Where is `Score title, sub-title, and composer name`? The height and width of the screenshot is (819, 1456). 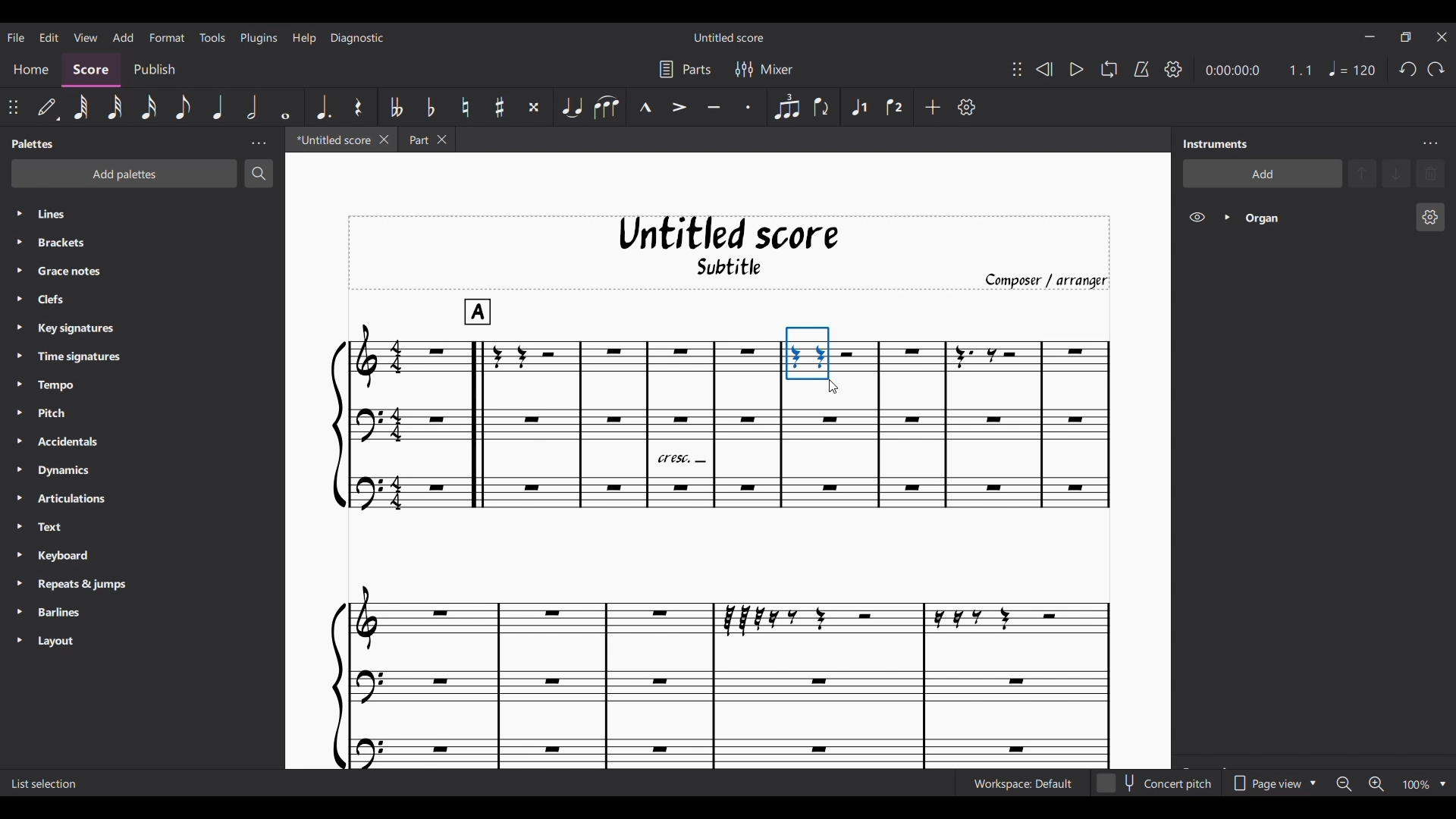 Score title, sub-title, and composer name is located at coordinates (730, 253).